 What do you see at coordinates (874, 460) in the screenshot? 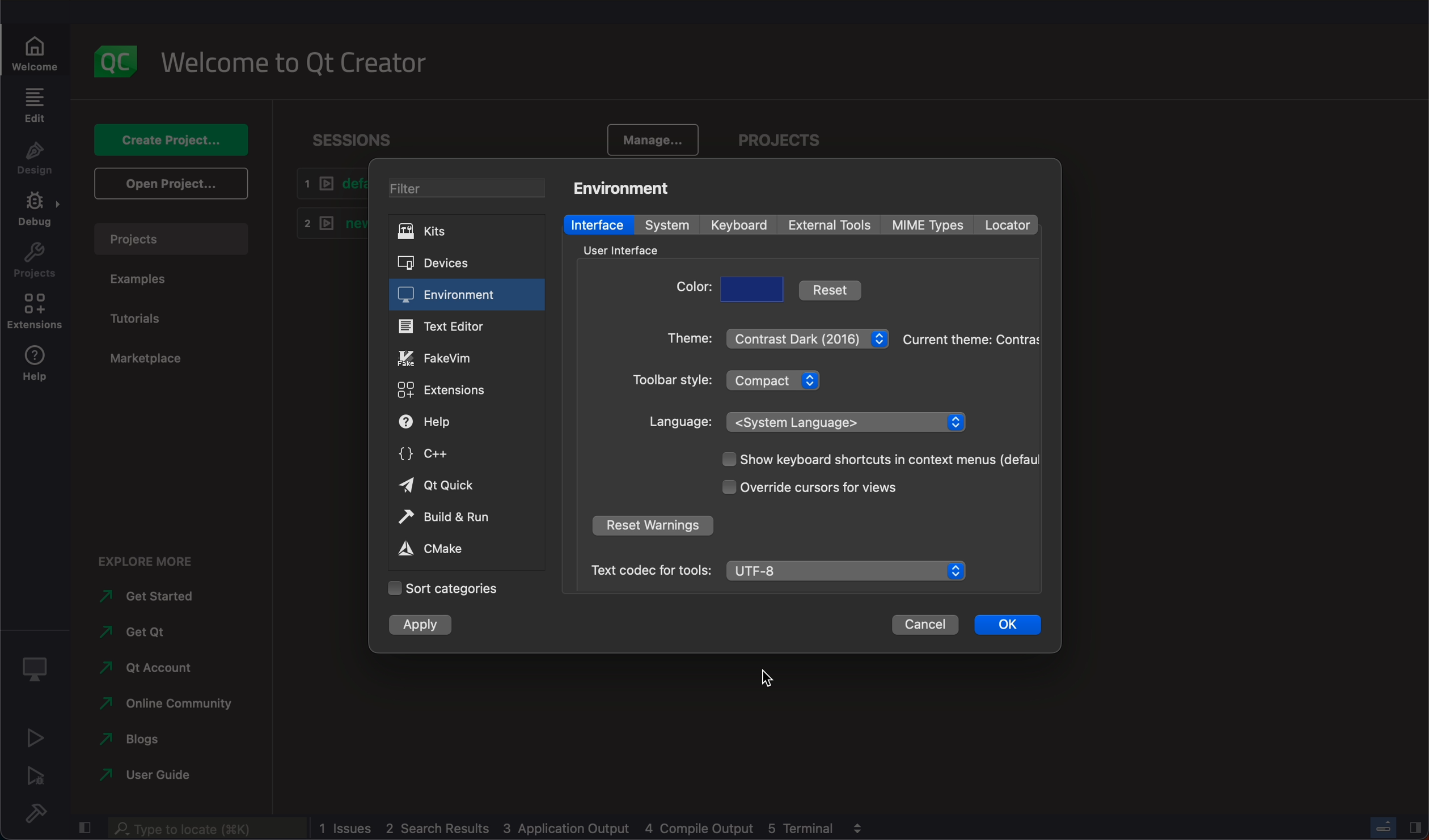
I see `show keyboard` at bounding box center [874, 460].